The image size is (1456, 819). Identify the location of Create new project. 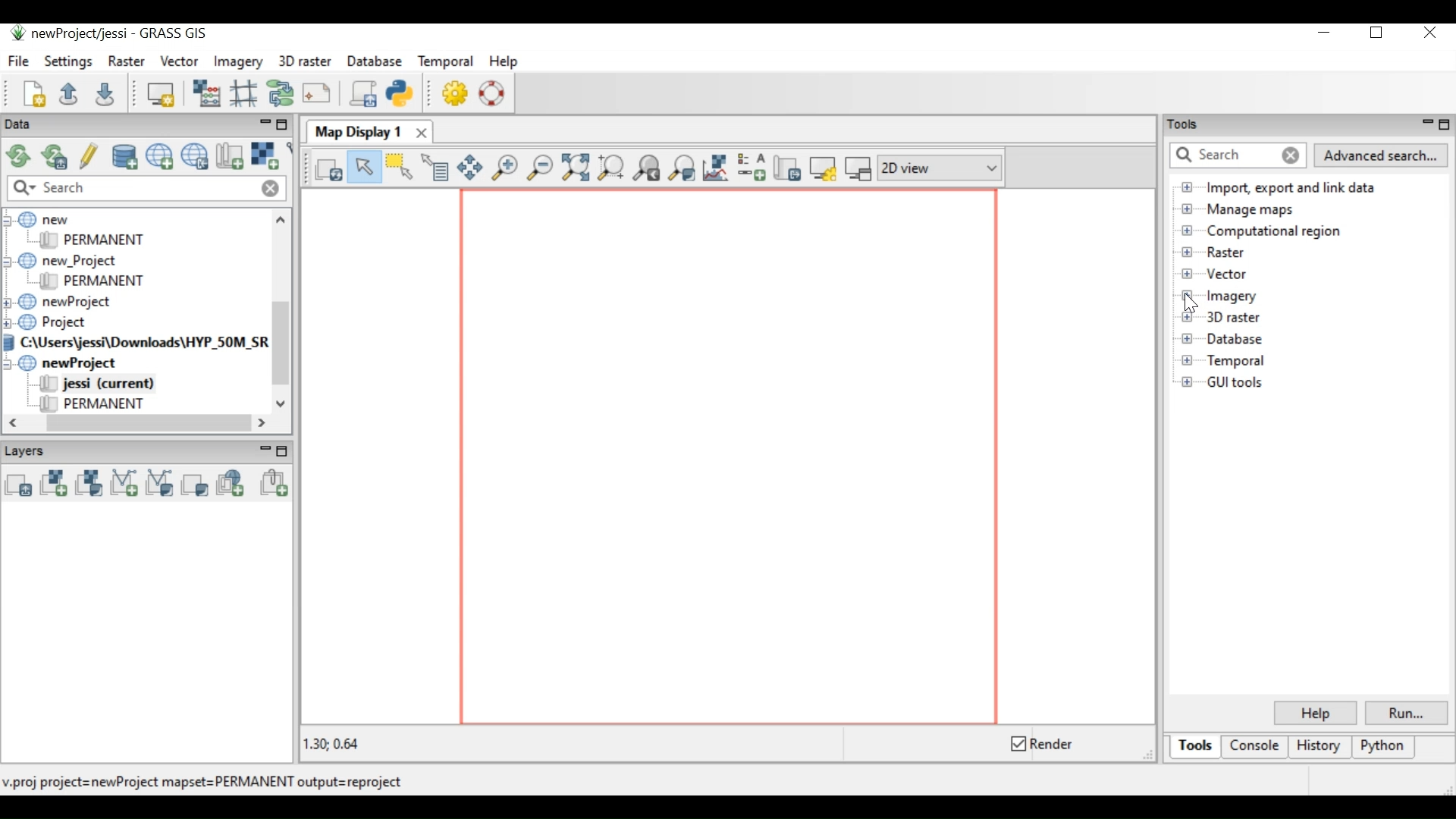
(160, 156).